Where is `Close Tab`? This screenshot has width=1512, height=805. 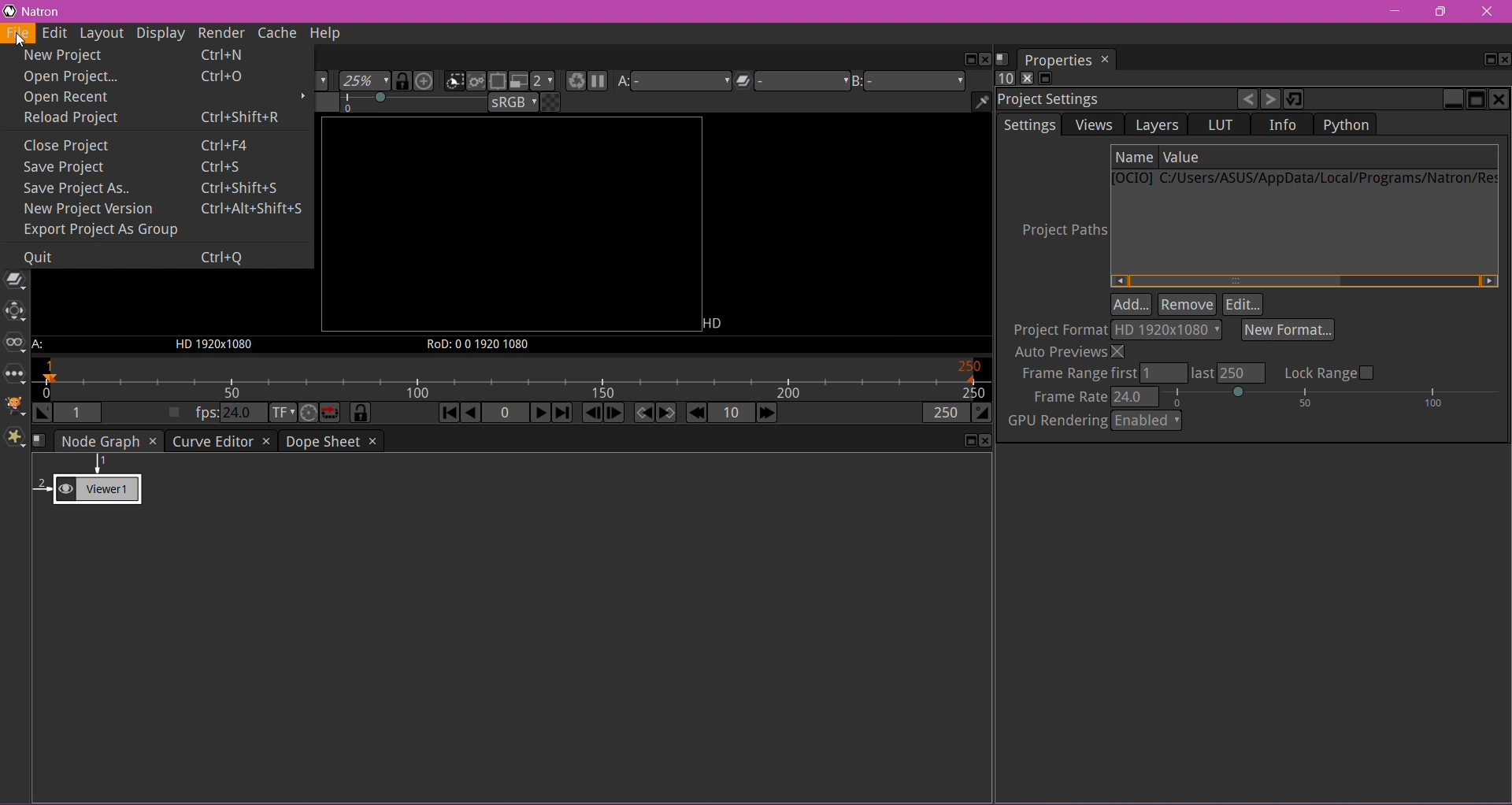
Close Tab is located at coordinates (153, 442).